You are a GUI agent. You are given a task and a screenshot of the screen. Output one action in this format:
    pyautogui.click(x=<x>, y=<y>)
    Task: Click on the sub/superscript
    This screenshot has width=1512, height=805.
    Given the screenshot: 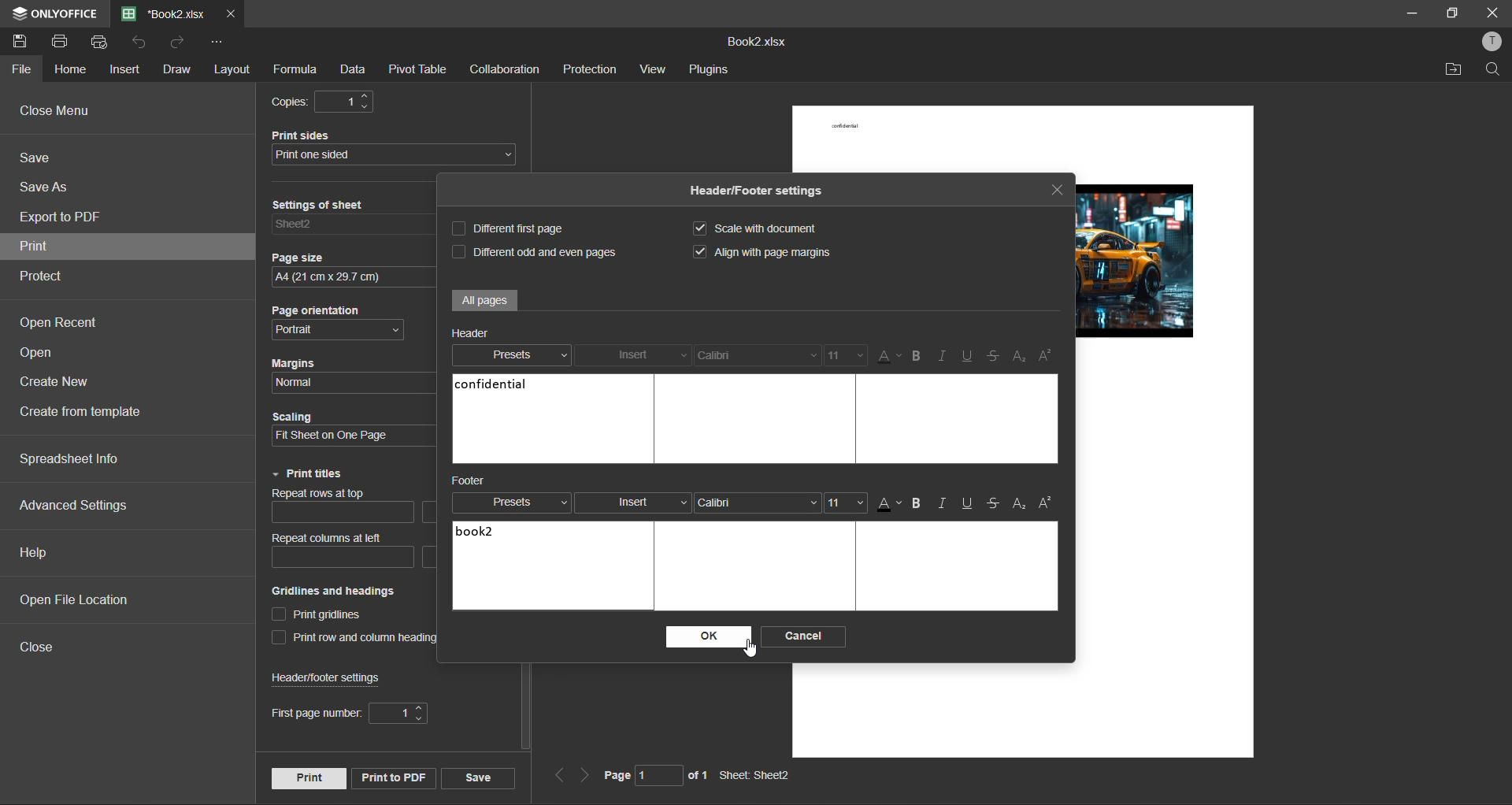 What is the action you would take?
    pyautogui.click(x=1021, y=358)
    